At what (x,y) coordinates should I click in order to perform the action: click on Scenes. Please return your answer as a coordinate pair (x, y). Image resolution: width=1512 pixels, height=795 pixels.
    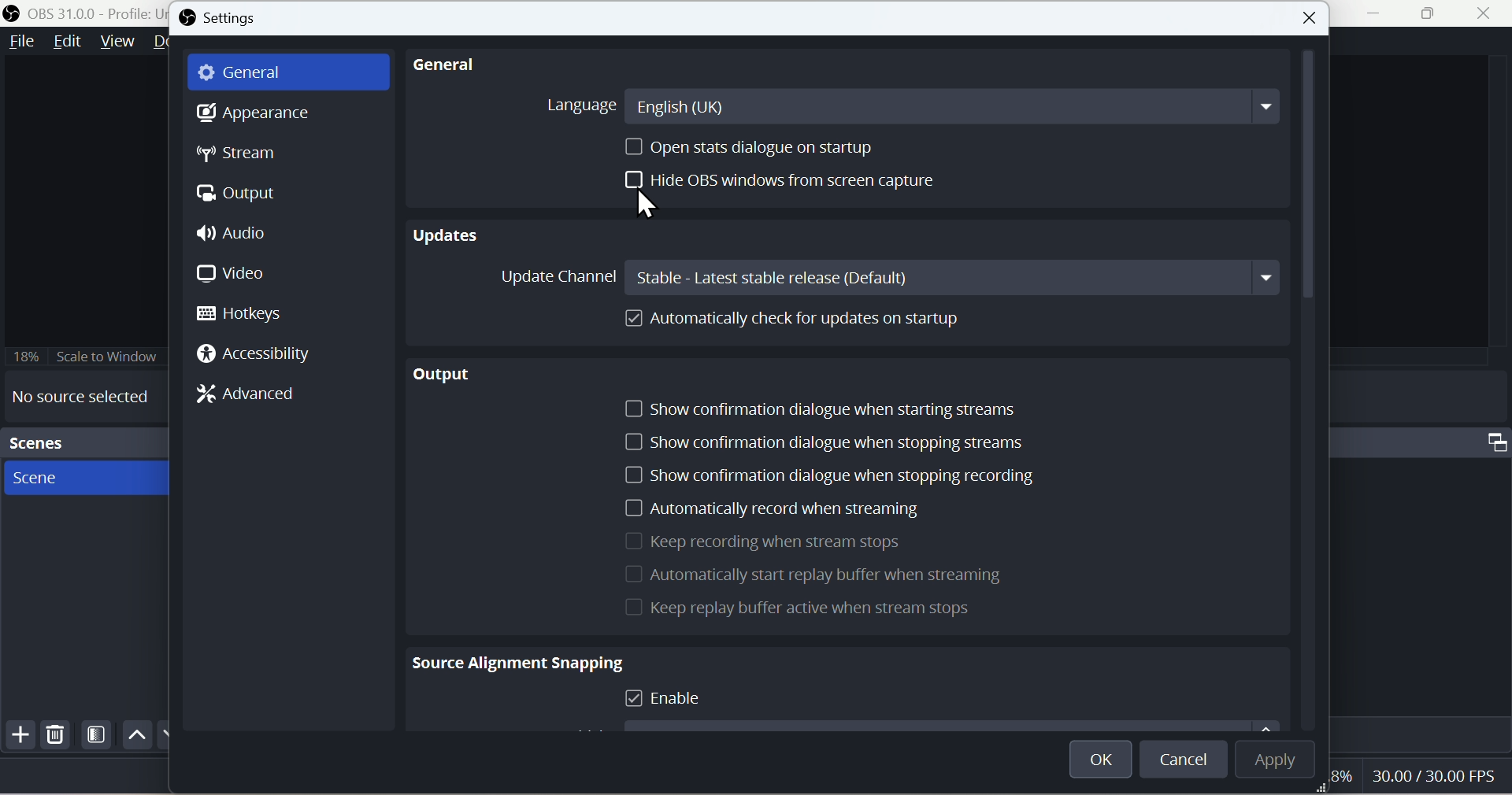
    Looking at the image, I should click on (83, 440).